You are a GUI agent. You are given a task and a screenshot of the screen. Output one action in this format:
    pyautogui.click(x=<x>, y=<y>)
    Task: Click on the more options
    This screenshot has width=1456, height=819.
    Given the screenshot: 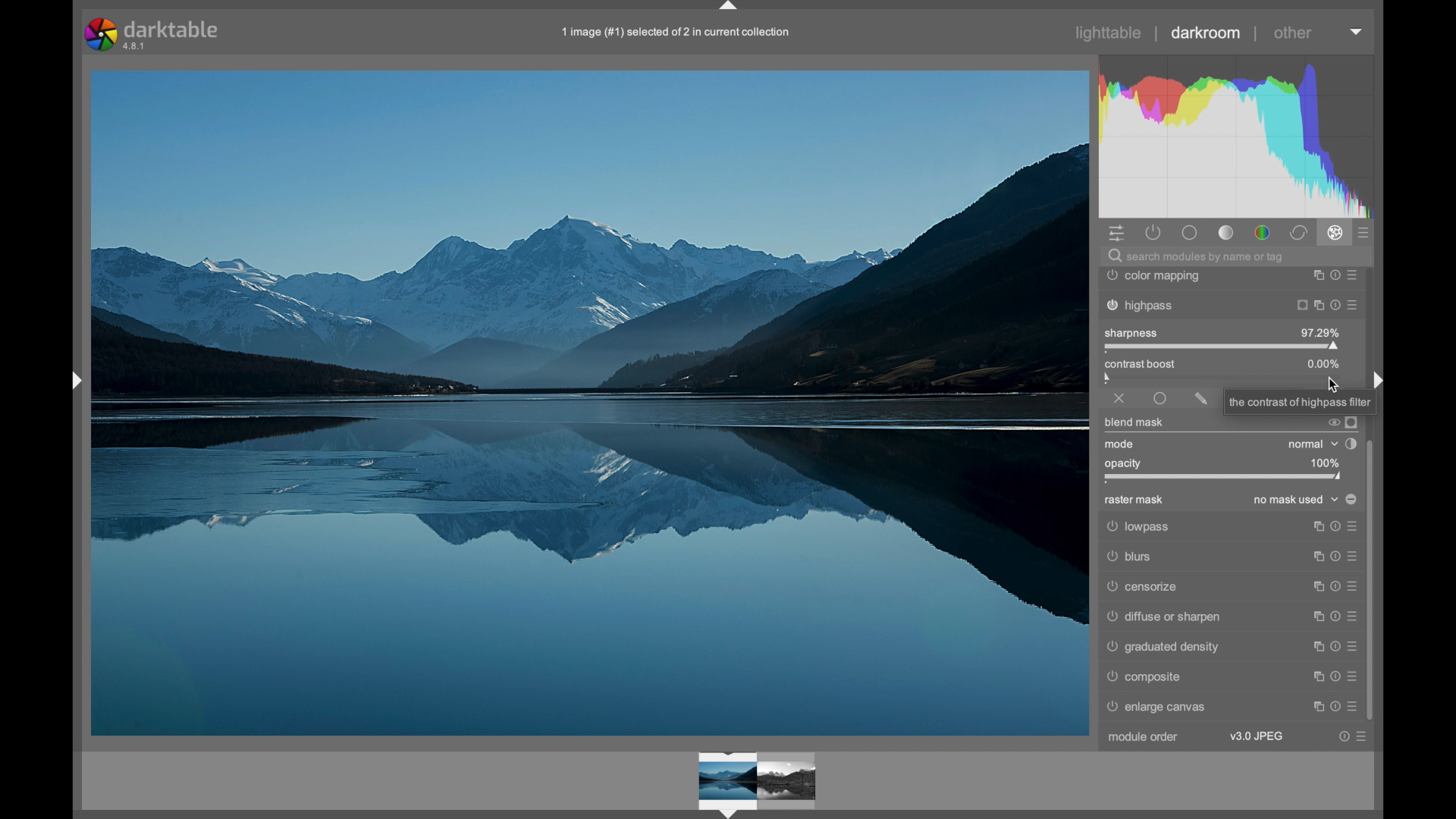 What is the action you would take?
    pyautogui.click(x=1335, y=647)
    